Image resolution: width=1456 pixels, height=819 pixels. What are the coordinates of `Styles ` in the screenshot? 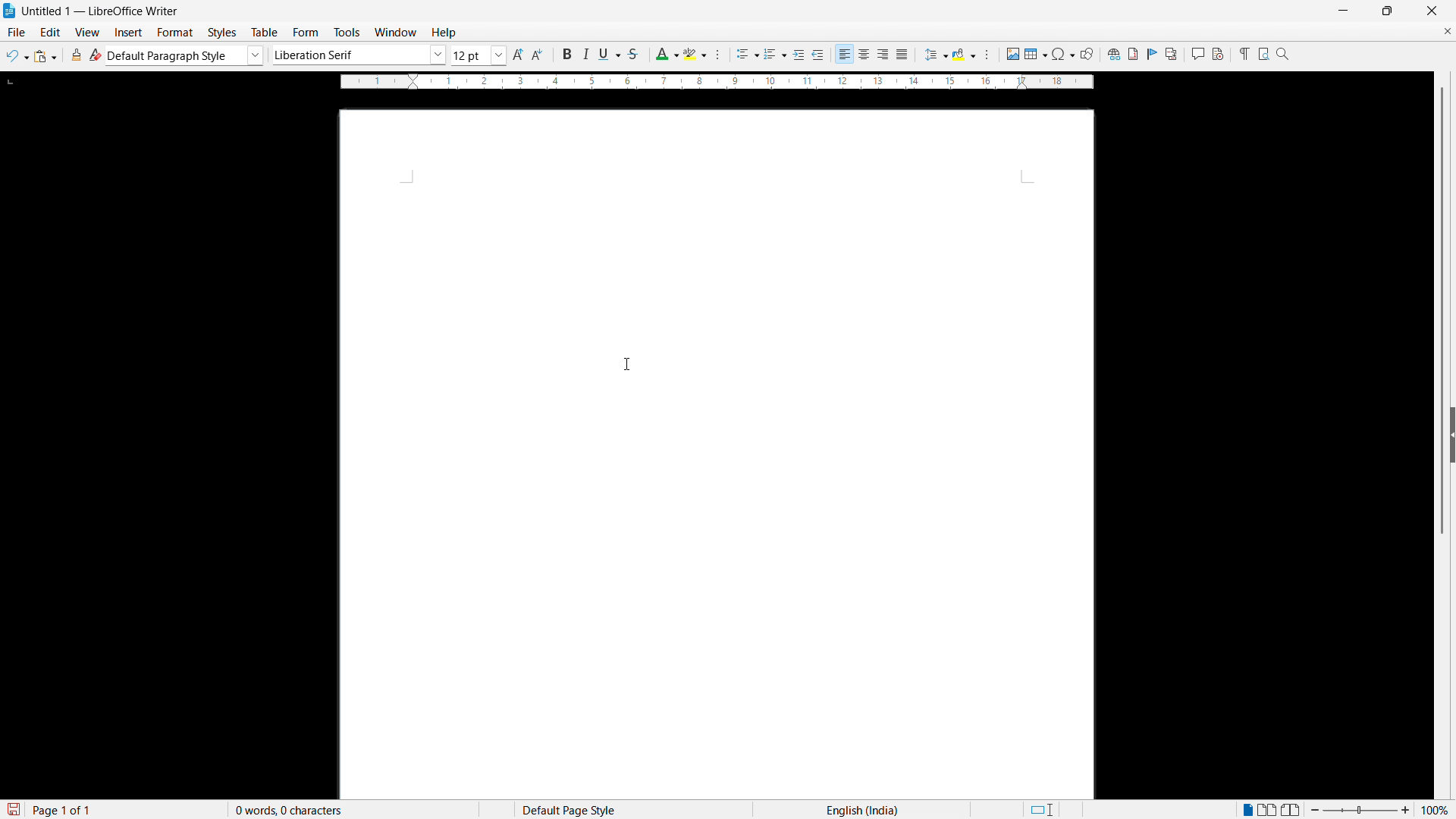 It's located at (224, 33).